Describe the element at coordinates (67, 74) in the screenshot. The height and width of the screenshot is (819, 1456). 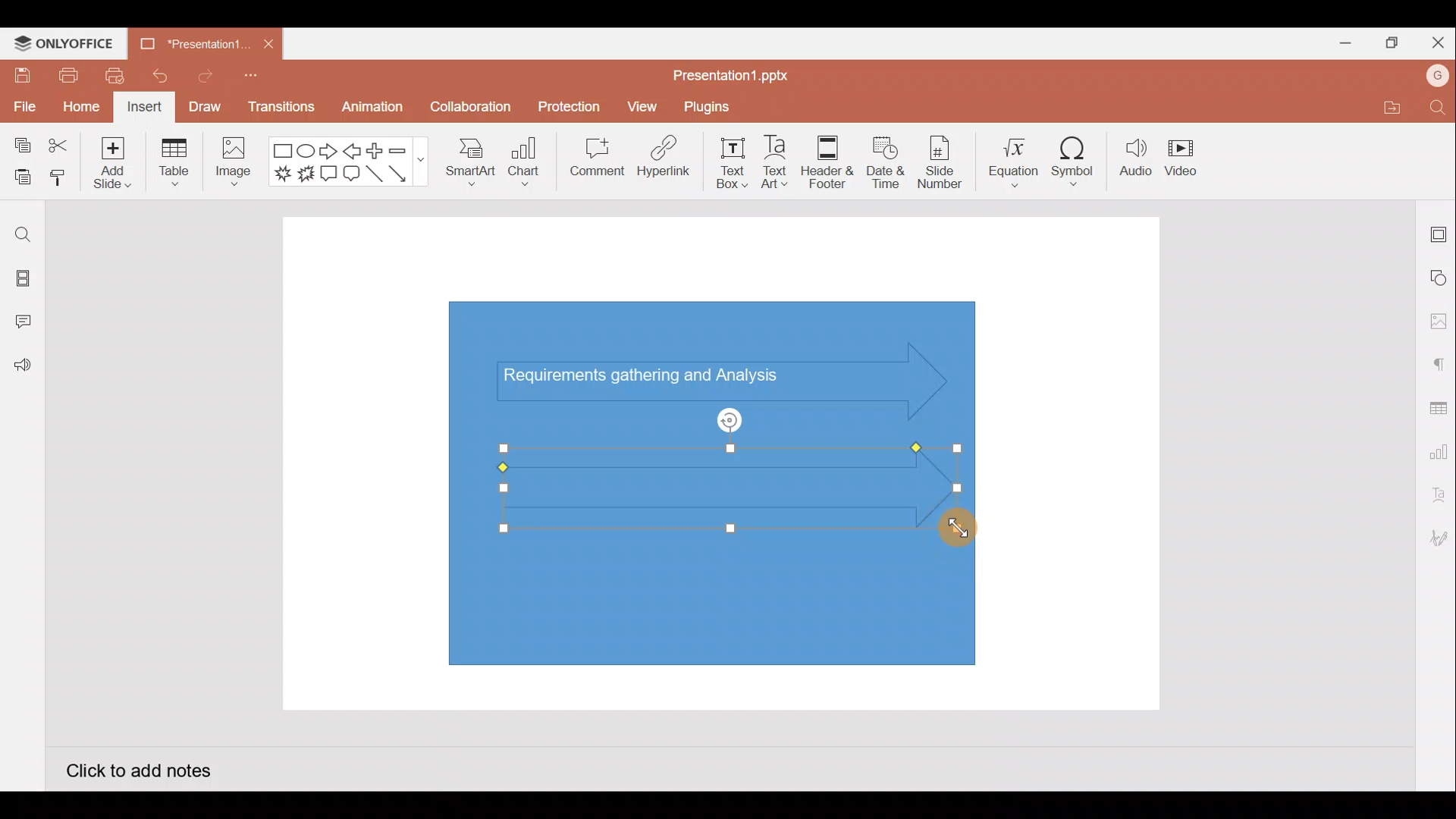
I see `Print file` at that location.